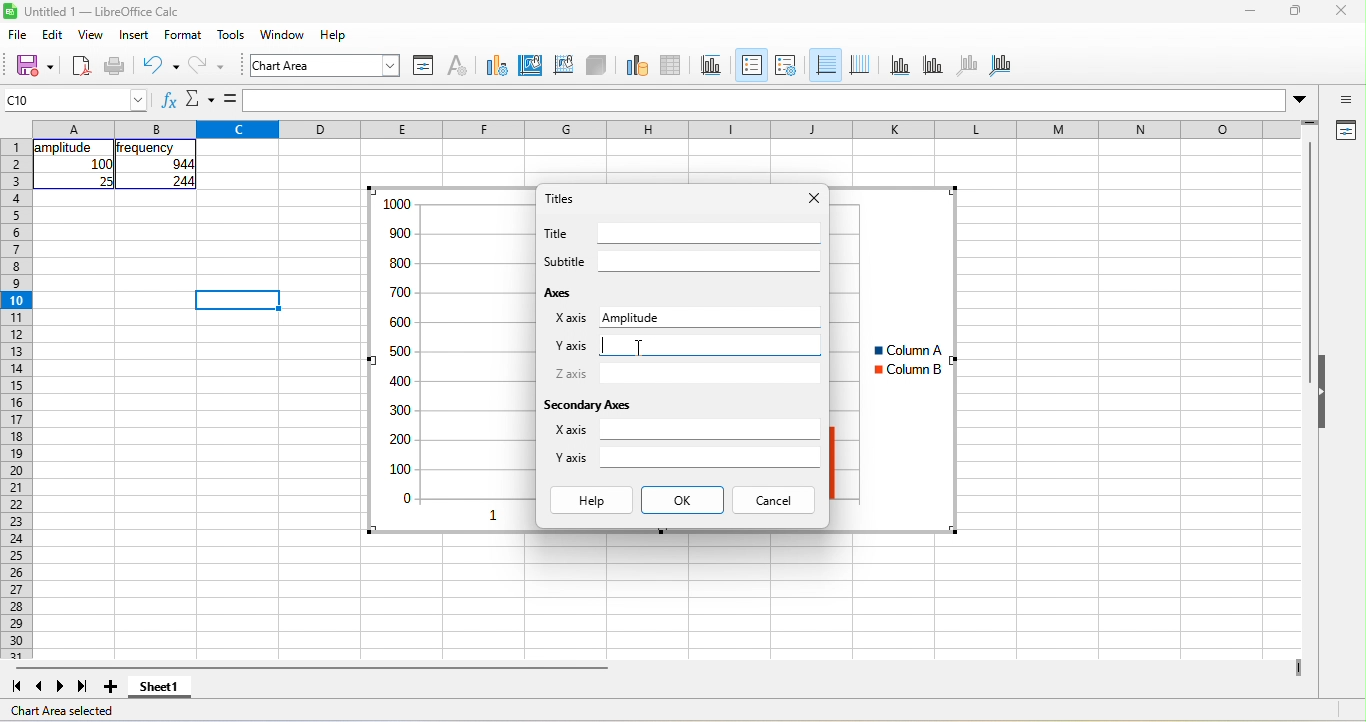 The width and height of the screenshot is (1366, 722). What do you see at coordinates (968, 66) in the screenshot?
I see `z axis` at bounding box center [968, 66].